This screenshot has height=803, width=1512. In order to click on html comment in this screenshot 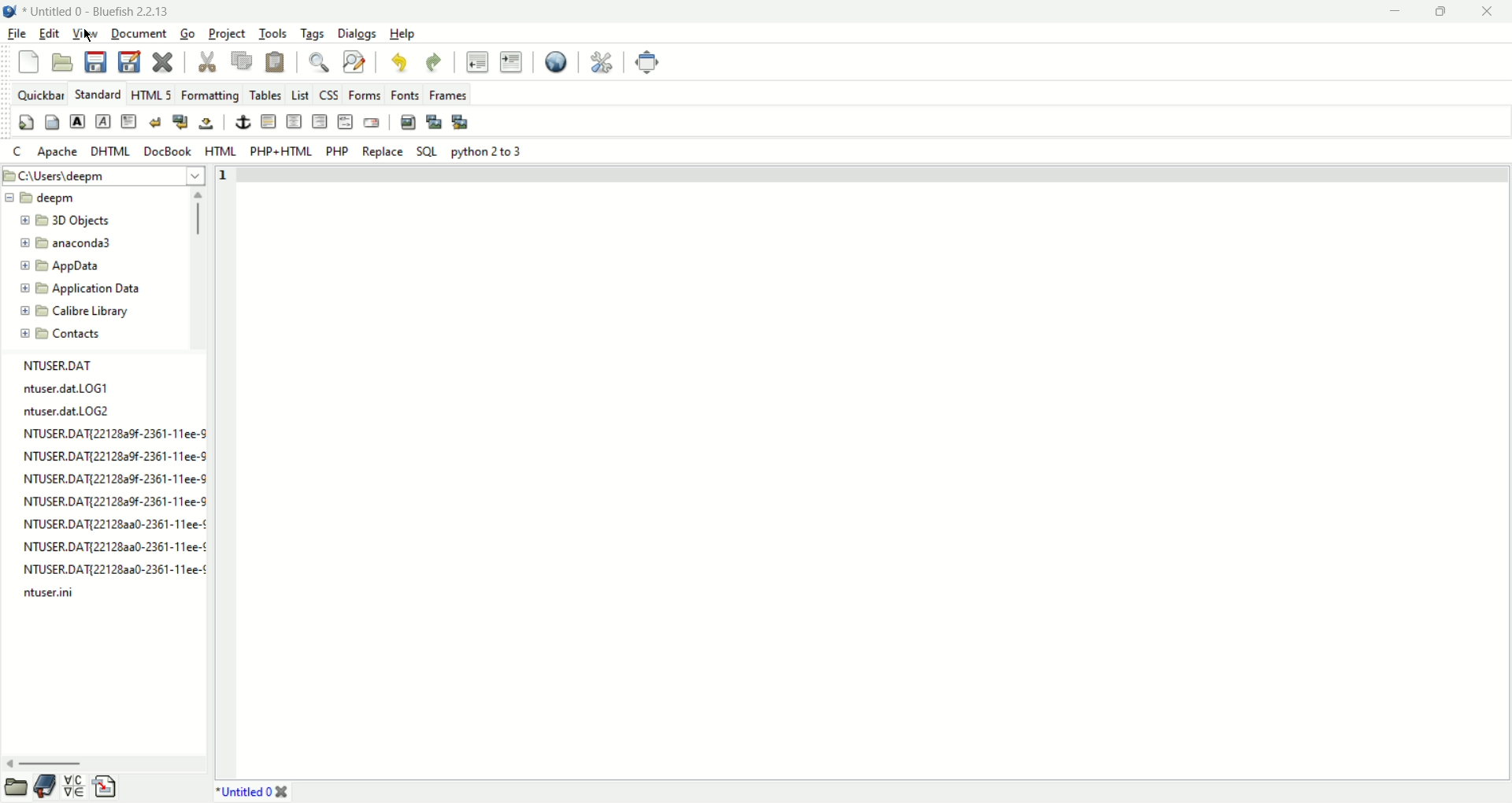, I will do `click(346, 123)`.